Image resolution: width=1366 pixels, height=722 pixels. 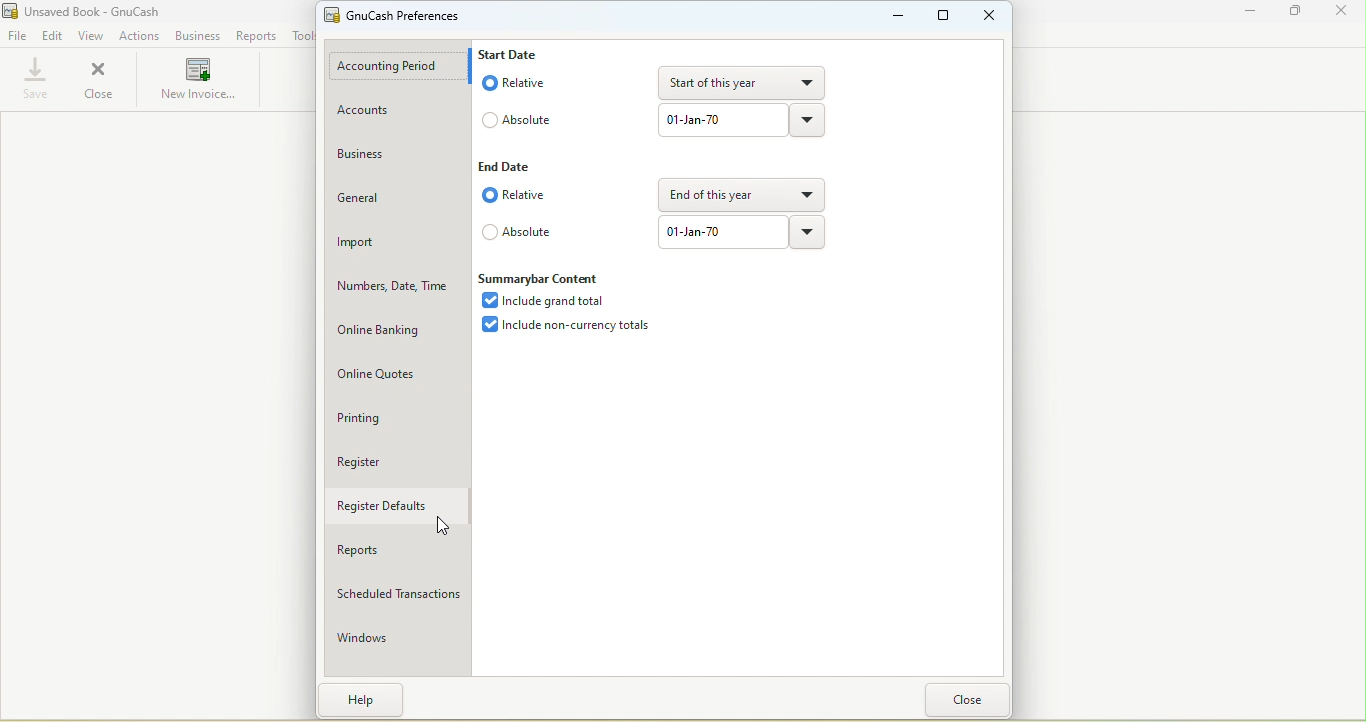 What do you see at coordinates (515, 55) in the screenshot?
I see `Start date` at bounding box center [515, 55].